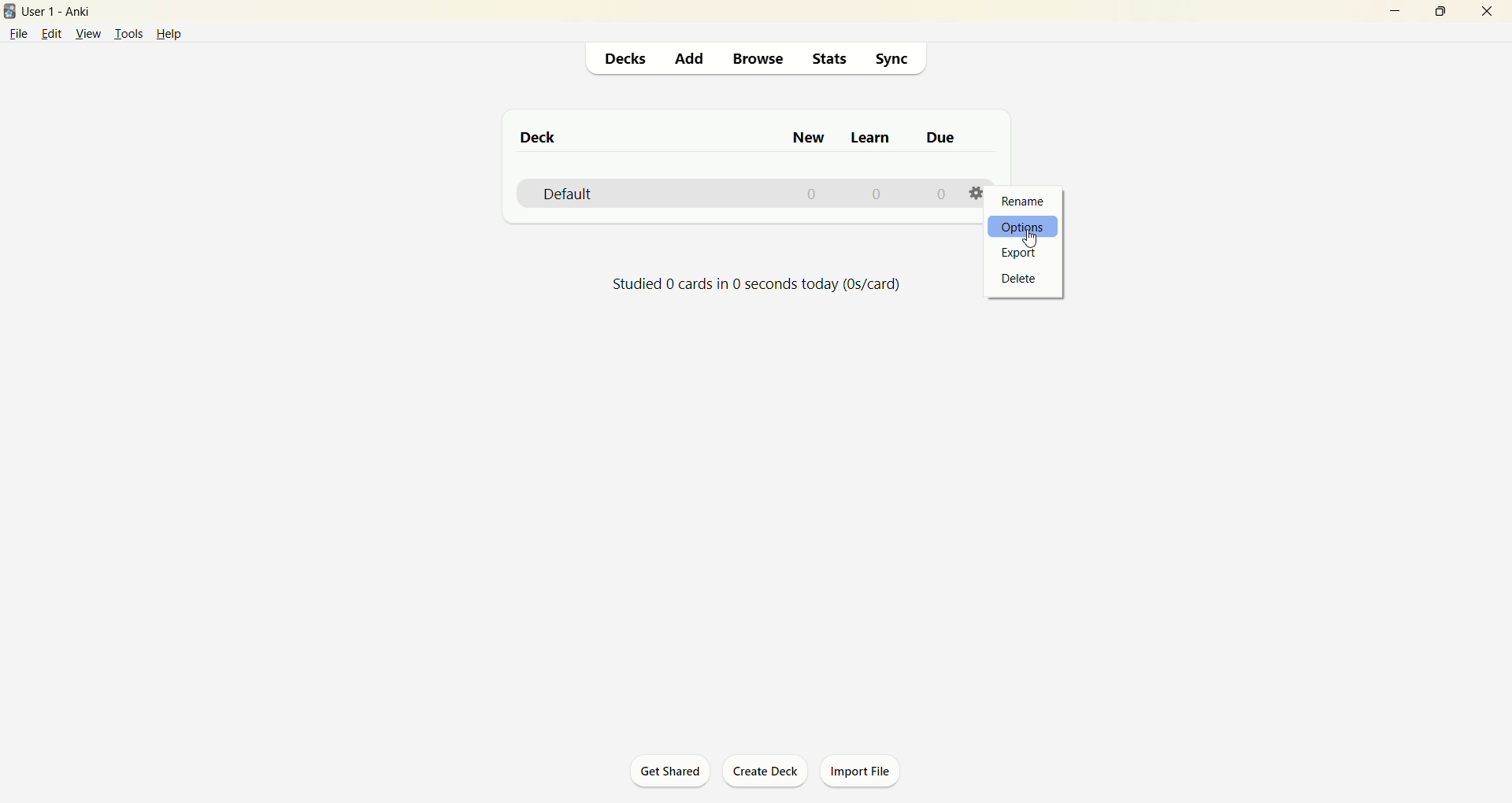 The image size is (1512, 803). What do you see at coordinates (828, 61) in the screenshot?
I see `stats` at bounding box center [828, 61].